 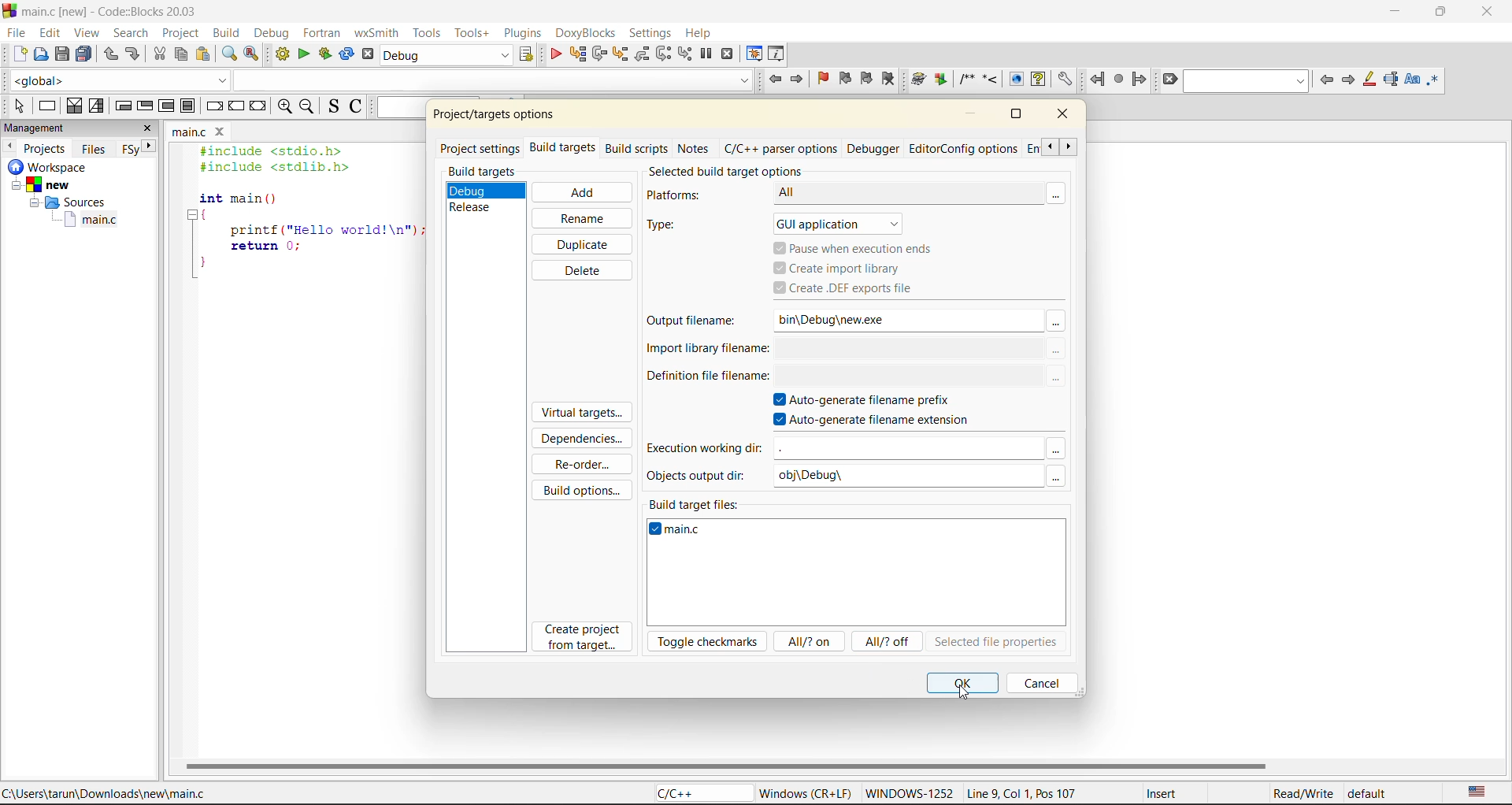 What do you see at coordinates (810, 640) in the screenshot?
I see `all/? on` at bounding box center [810, 640].